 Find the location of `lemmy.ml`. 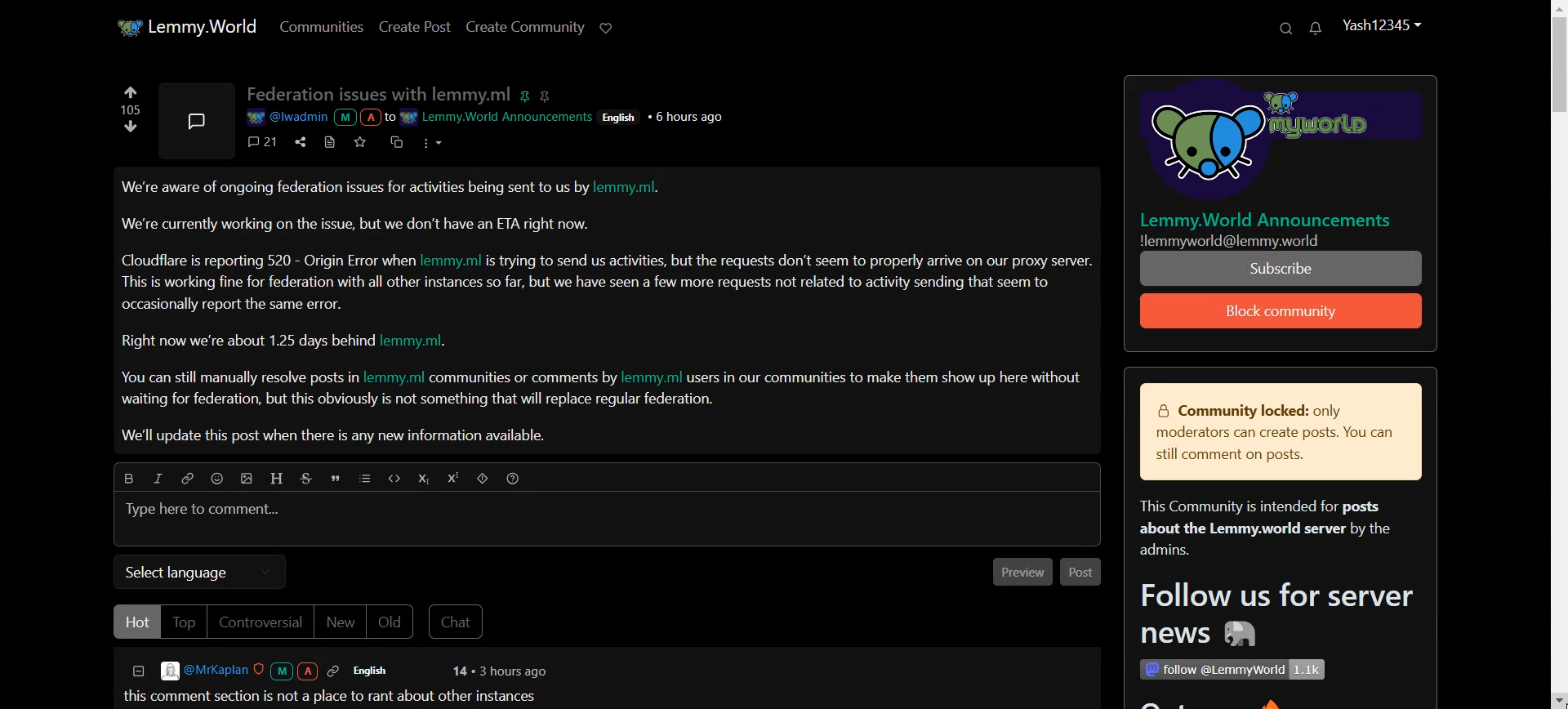

lemmy.ml is located at coordinates (449, 261).